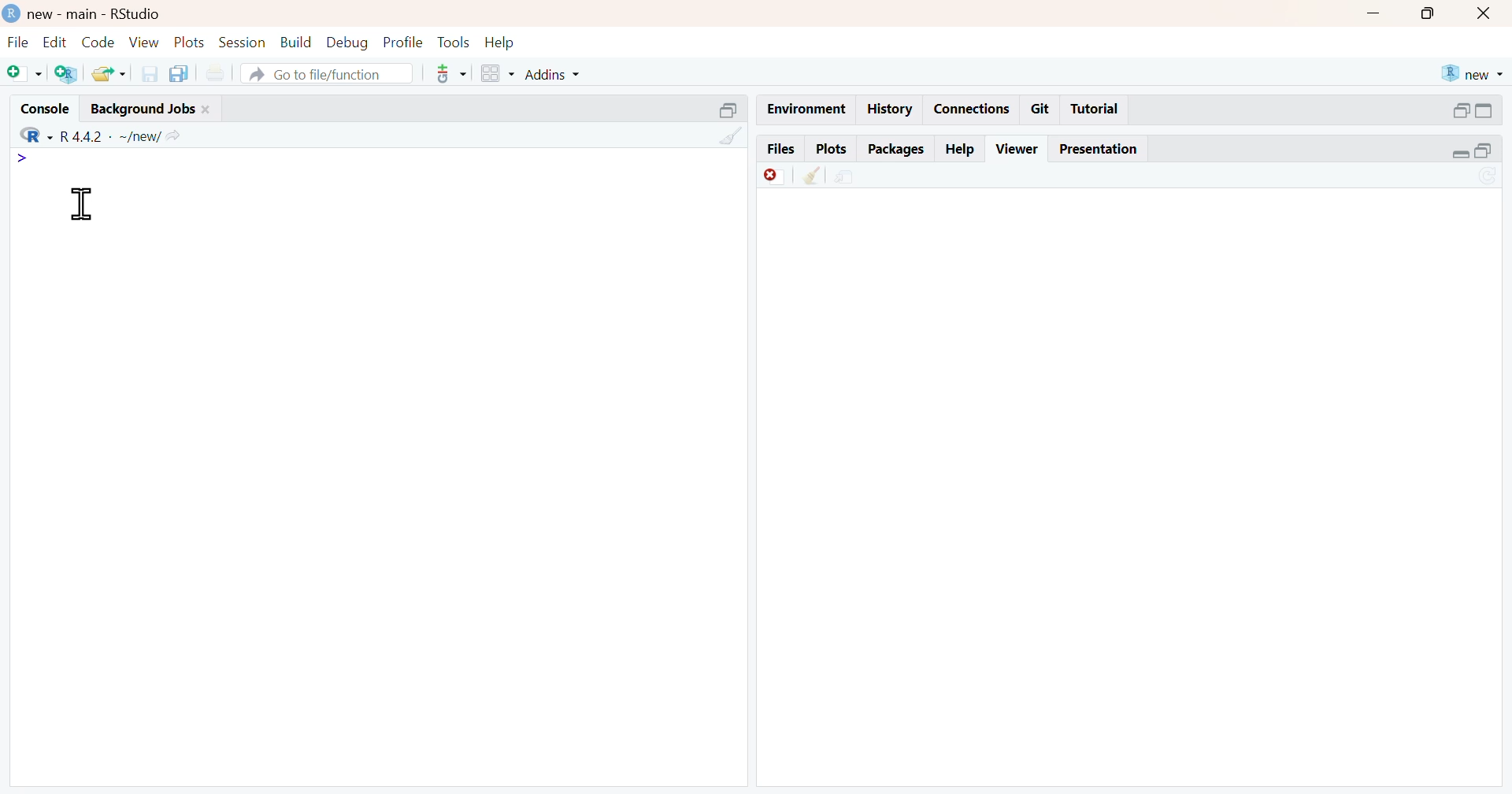 The width and height of the screenshot is (1512, 794). Describe the element at coordinates (84, 135) in the screenshot. I see `R 4.4.2 - new` at that location.